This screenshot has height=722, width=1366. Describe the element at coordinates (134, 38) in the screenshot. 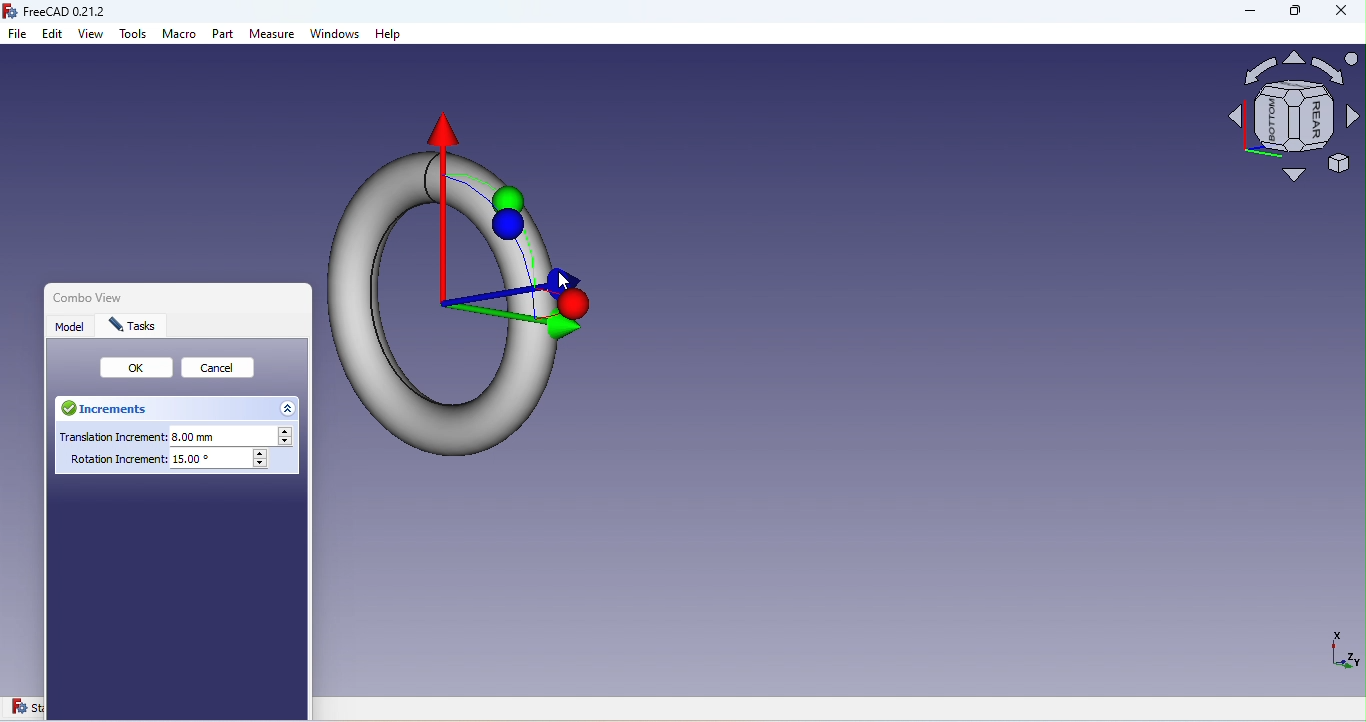

I see `Tools` at that location.